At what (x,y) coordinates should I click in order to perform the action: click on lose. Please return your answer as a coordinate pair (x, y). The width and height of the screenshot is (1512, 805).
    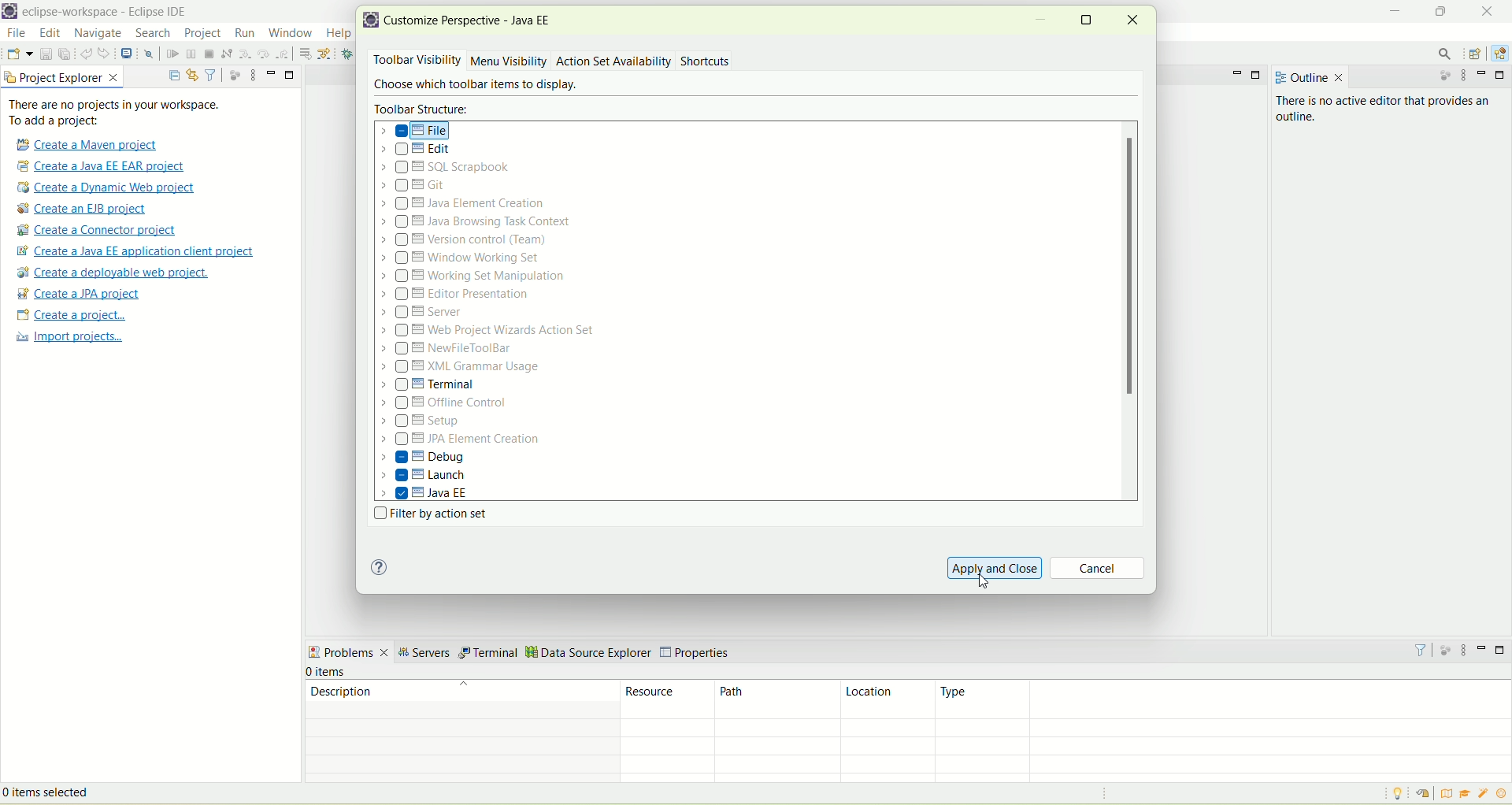
    Looking at the image, I should click on (1133, 19).